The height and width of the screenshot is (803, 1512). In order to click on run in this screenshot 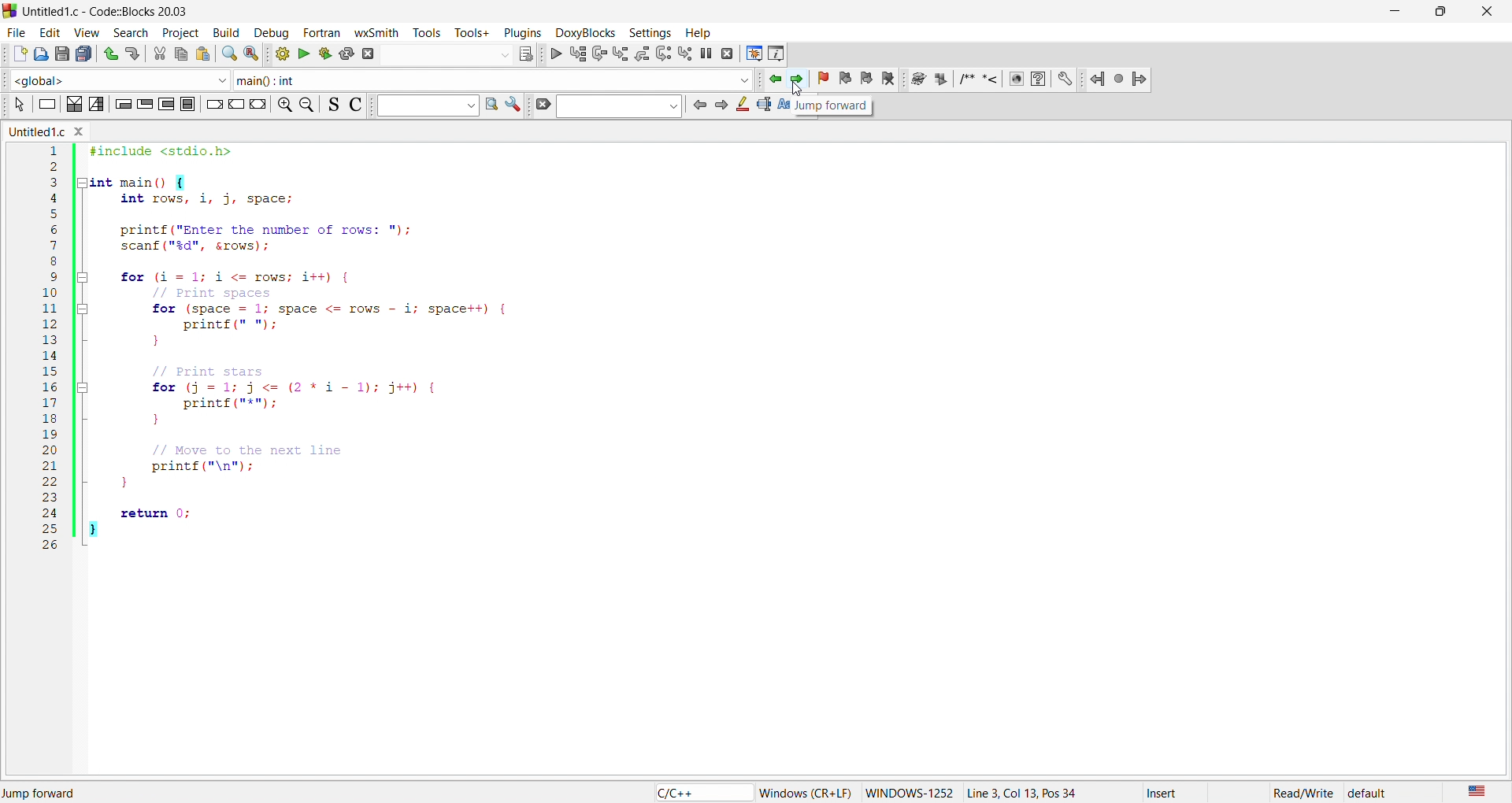, I will do `click(299, 52)`.